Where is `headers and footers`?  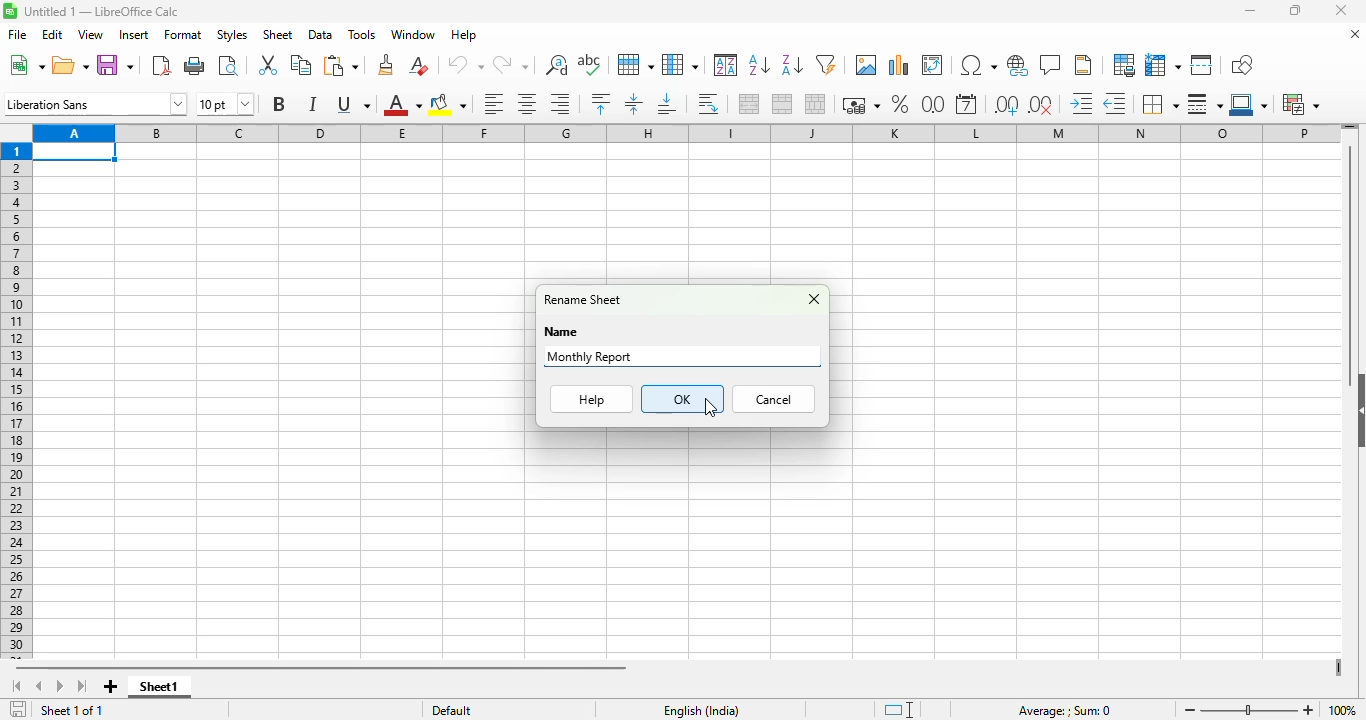
headers and footers is located at coordinates (1085, 65).